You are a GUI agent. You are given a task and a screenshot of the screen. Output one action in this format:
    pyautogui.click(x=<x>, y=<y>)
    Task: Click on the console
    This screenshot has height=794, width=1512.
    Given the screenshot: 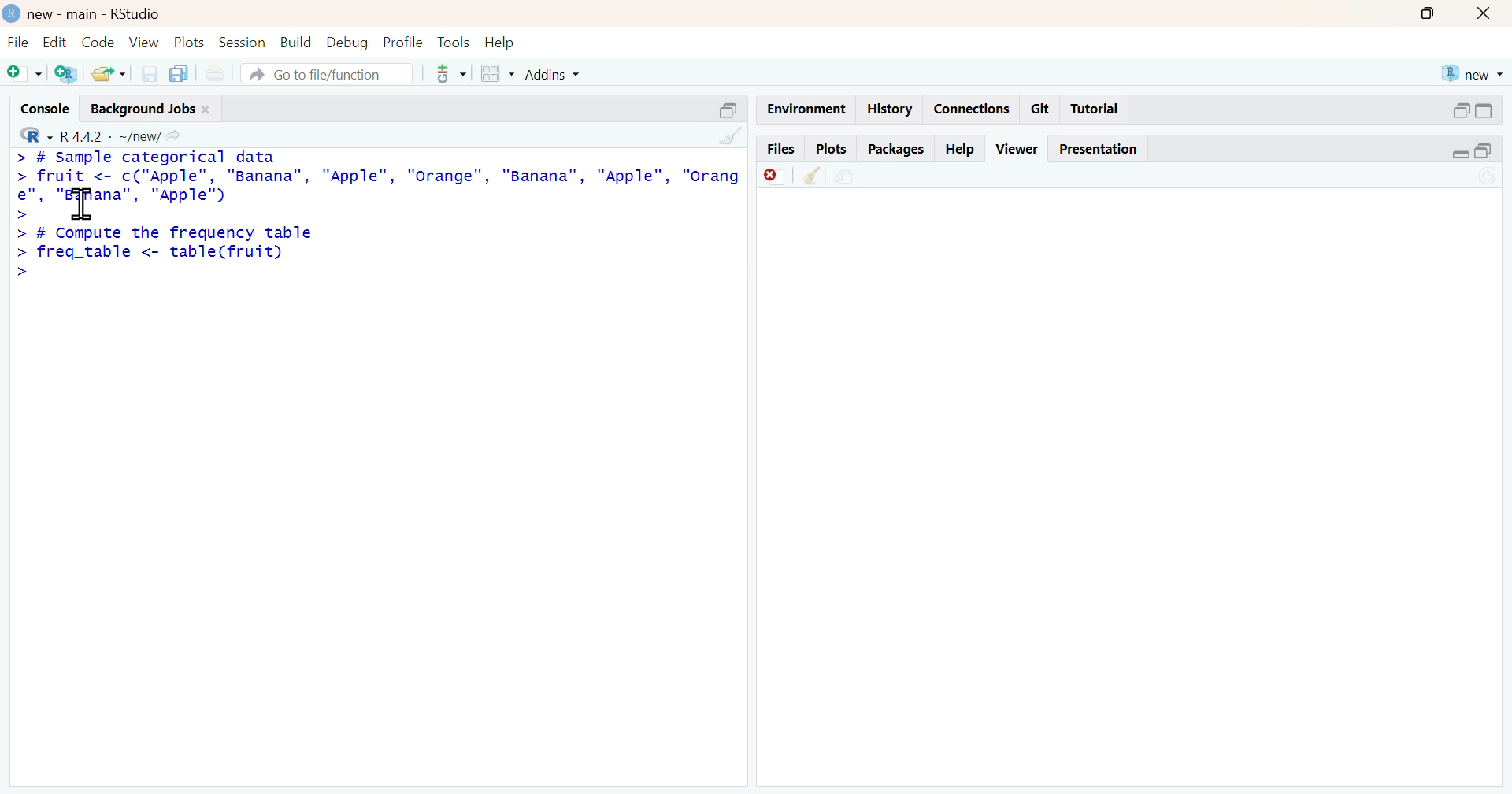 What is the action you would take?
    pyautogui.click(x=45, y=106)
    